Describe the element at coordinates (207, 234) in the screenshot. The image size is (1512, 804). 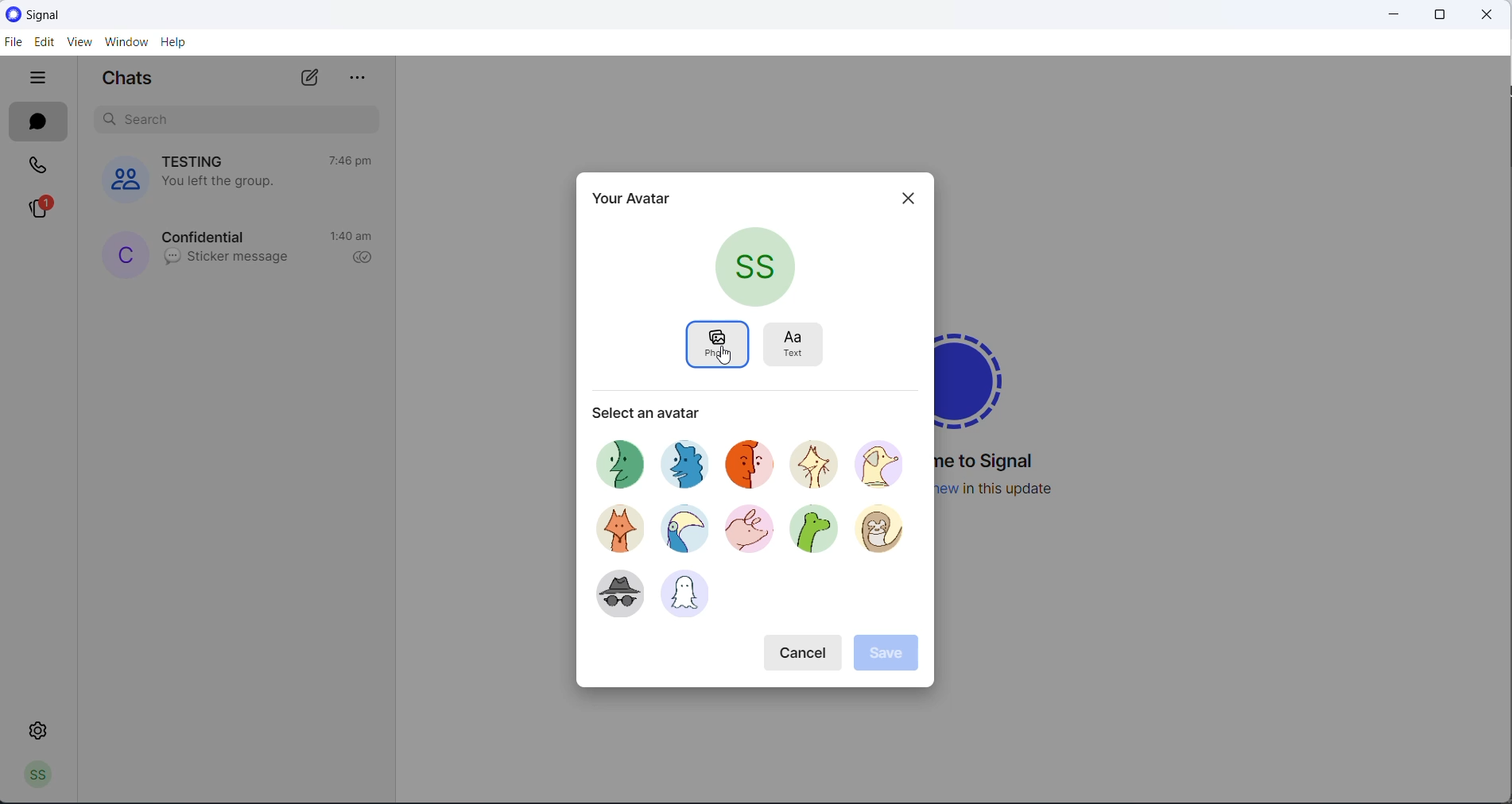
I see `contact name` at that location.